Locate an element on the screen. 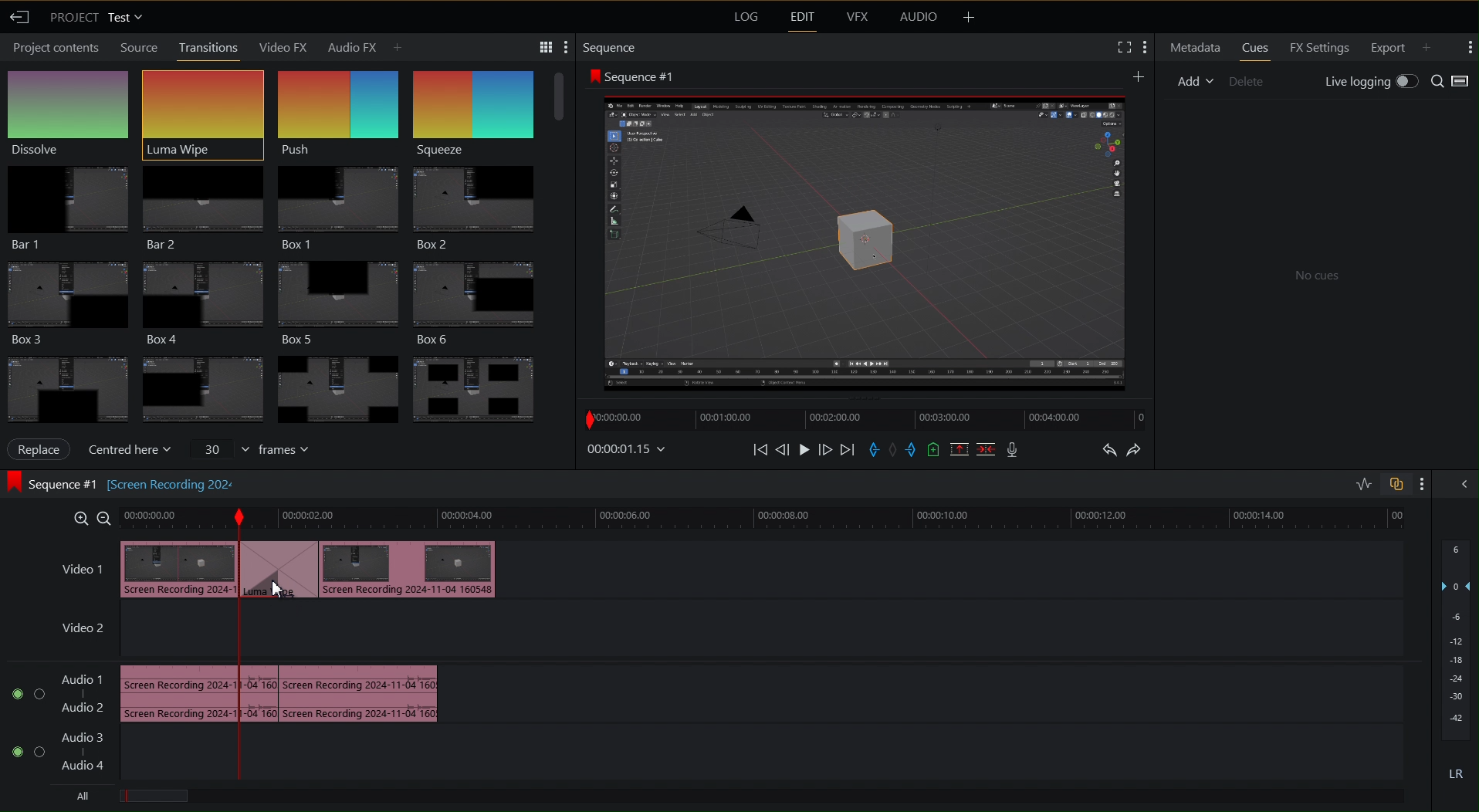 This screenshot has width=1479, height=812. Edit is located at coordinates (800, 19).